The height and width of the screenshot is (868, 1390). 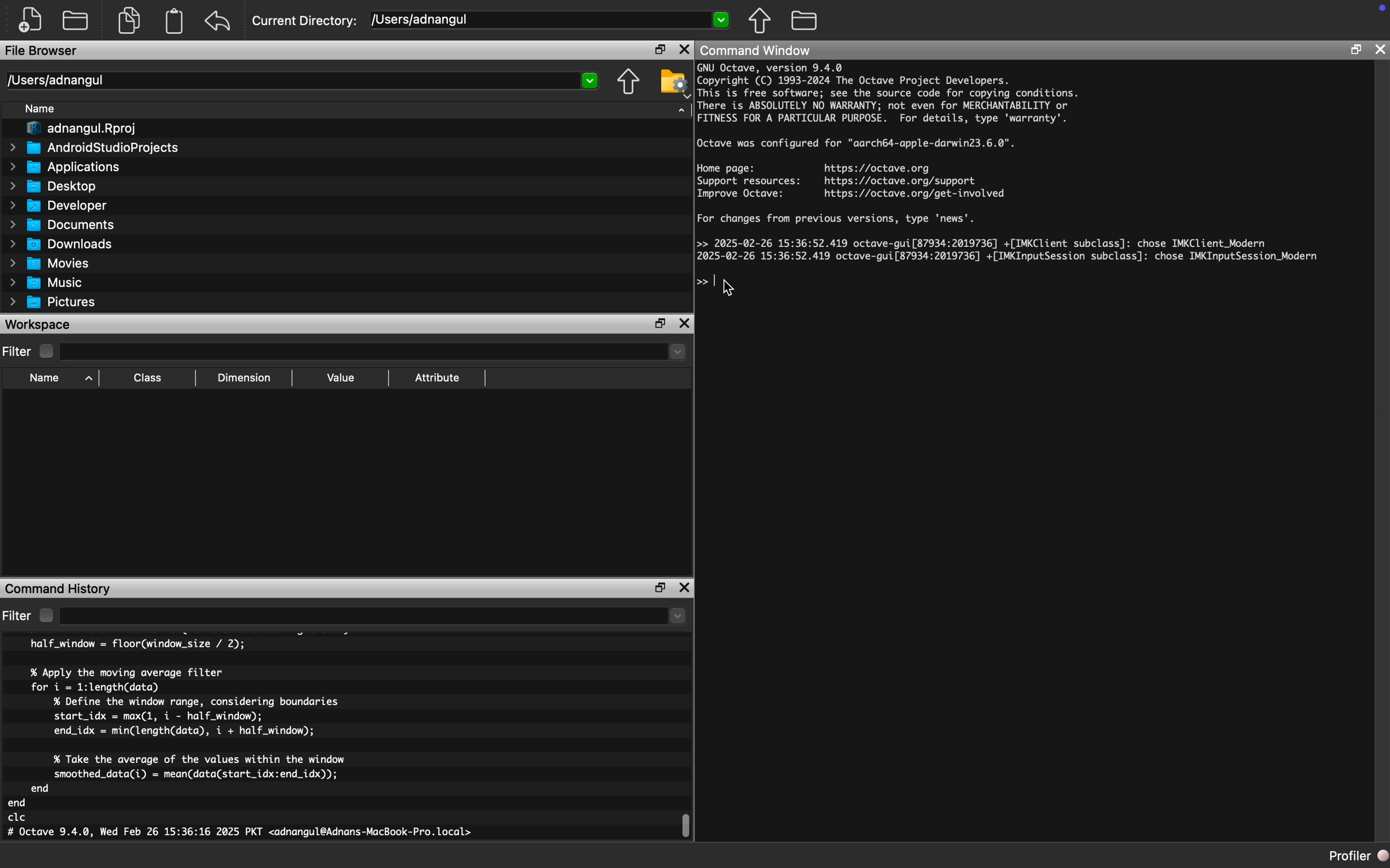 I want to click on Command Window, so click(x=758, y=51).